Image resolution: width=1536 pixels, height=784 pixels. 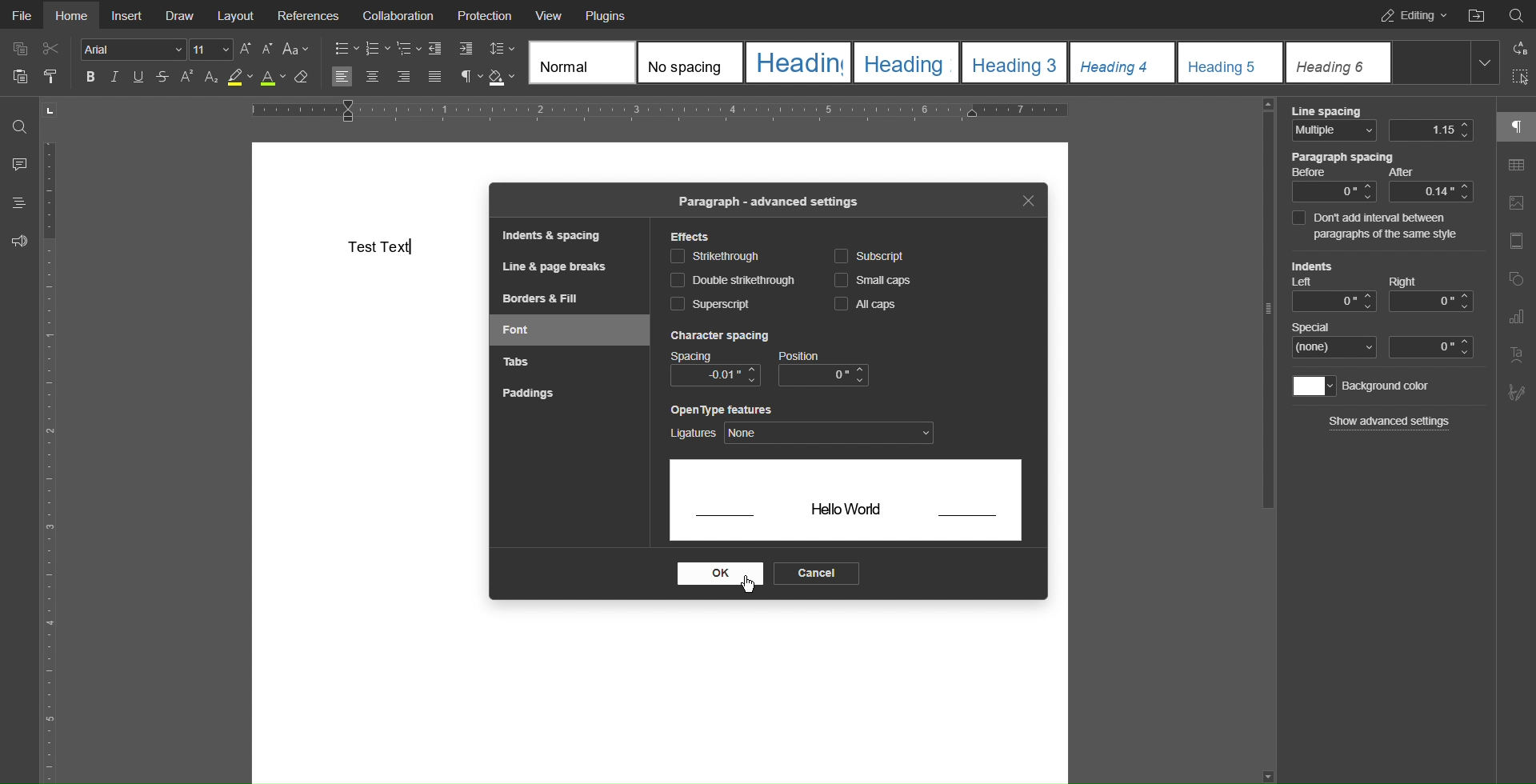 I want to click on Replace, so click(x=1518, y=48).